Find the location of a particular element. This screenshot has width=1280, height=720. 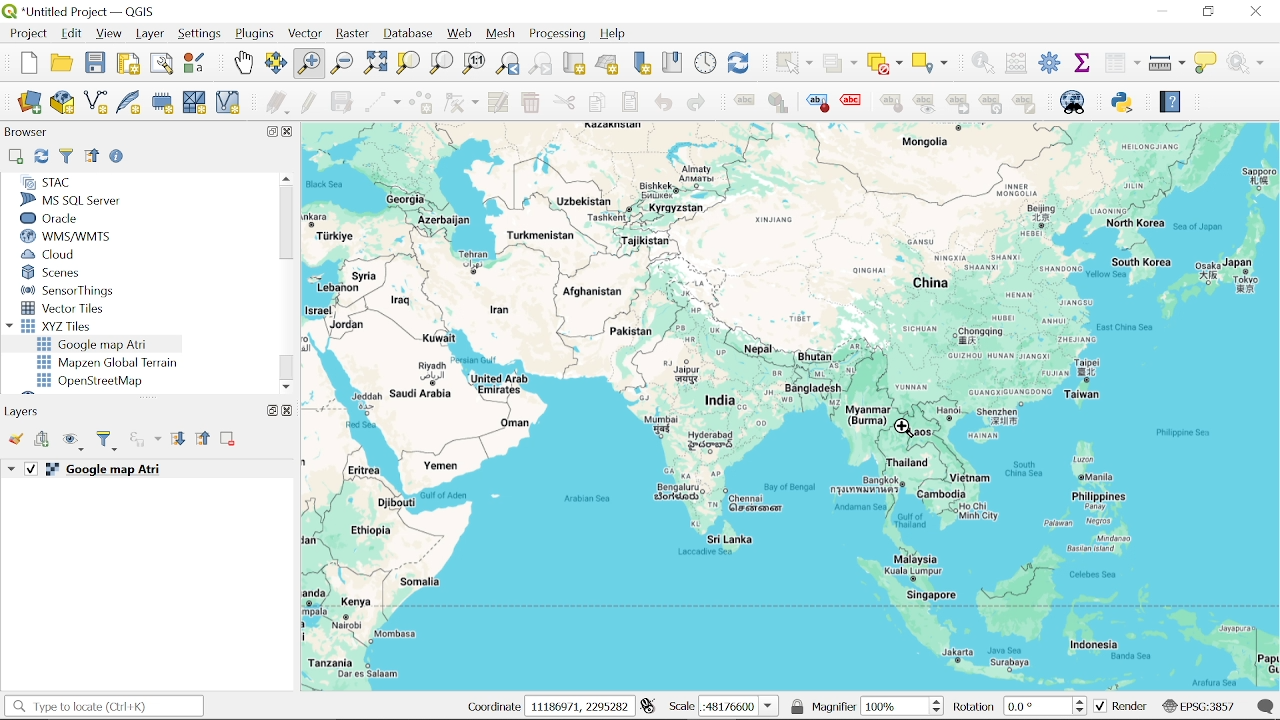

Restore down is located at coordinates (1208, 11).